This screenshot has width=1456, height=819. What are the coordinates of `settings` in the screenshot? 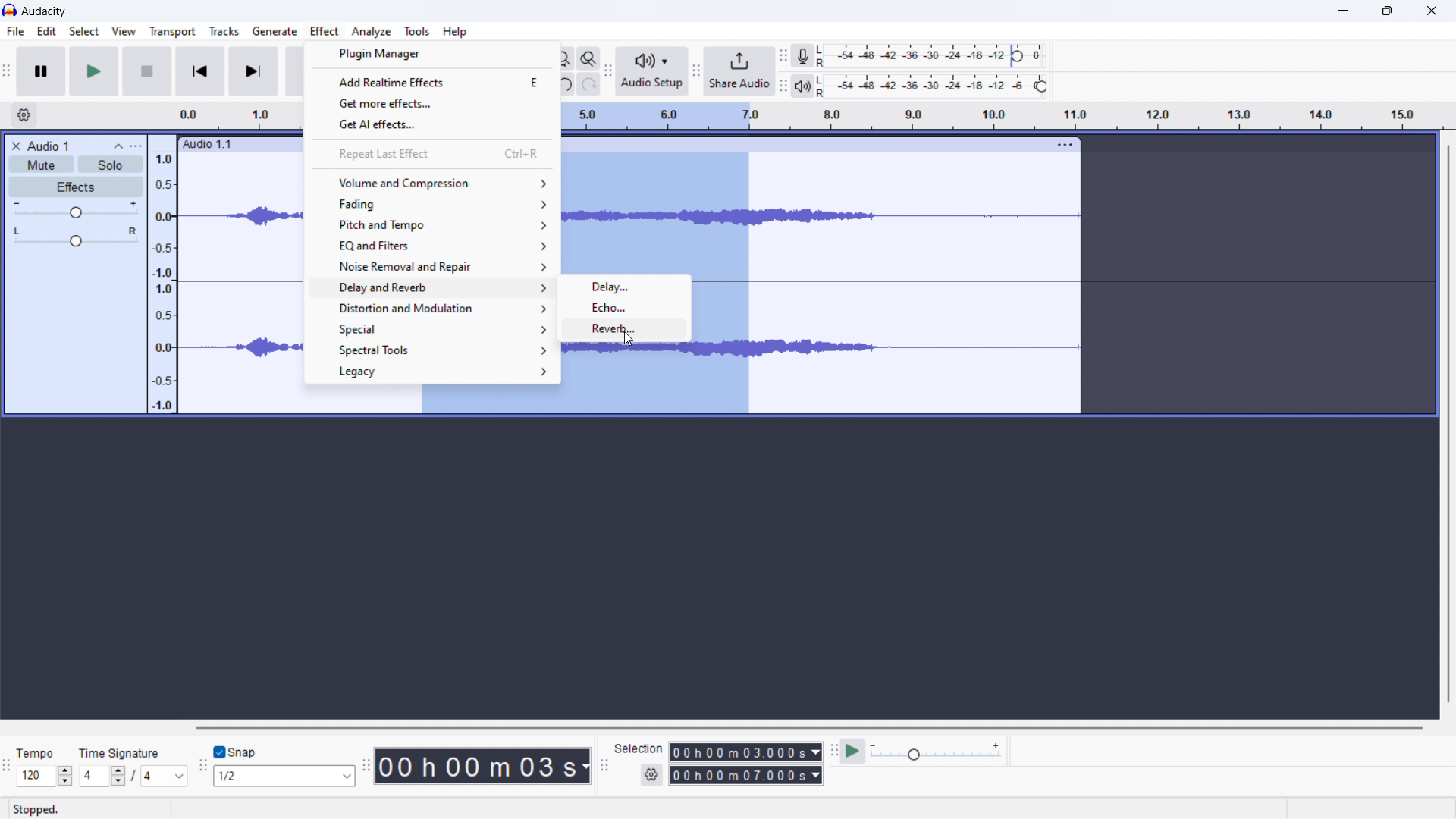 It's located at (23, 116).